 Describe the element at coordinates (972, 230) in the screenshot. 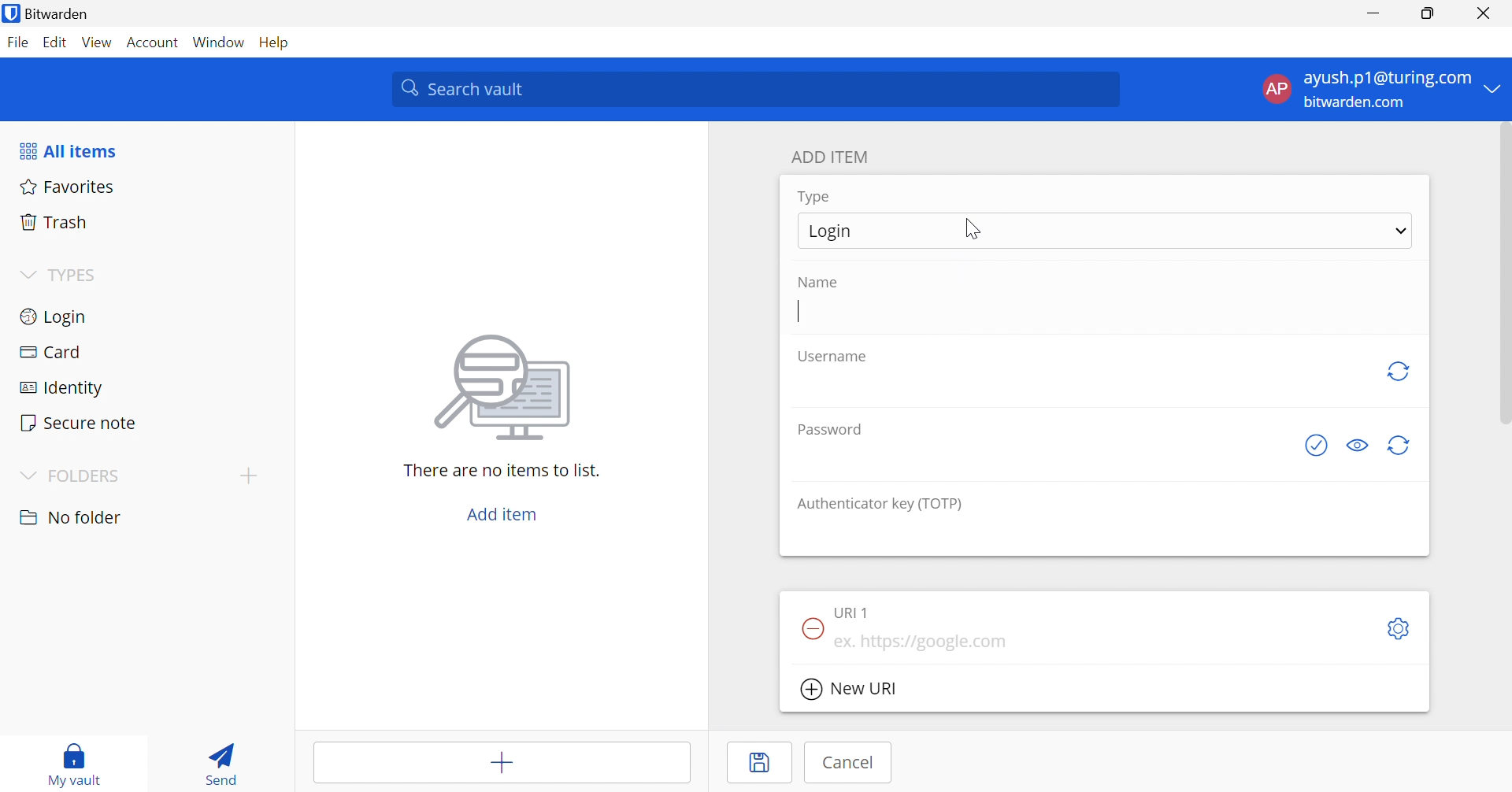

I see `Cursor` at that location.